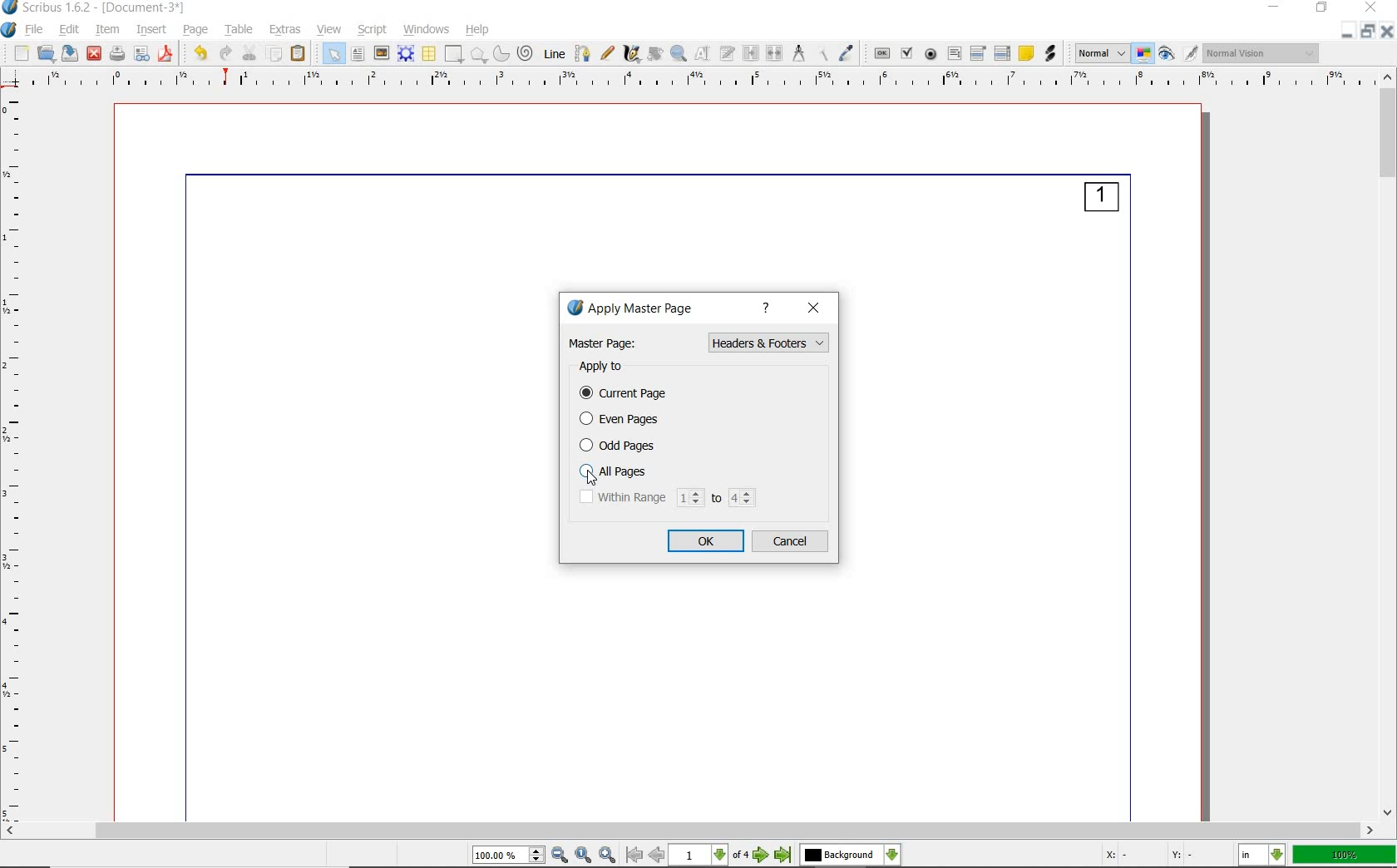 Image resolution: width=1397 pixels, height=868 pixels. What do you see at coordinates (771, 375) in the screenshot?
I see `normal` at bounding box center [771, 375].